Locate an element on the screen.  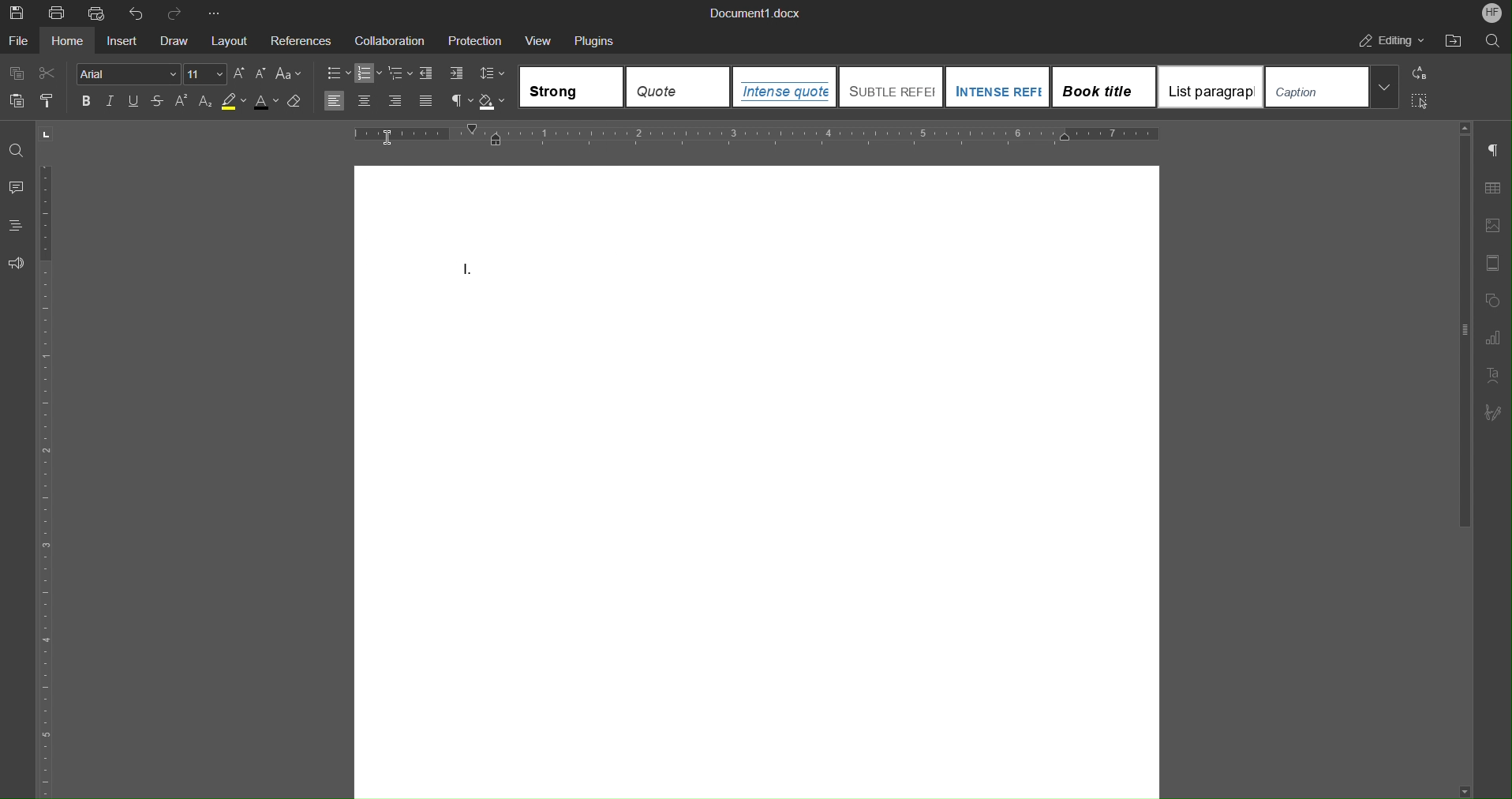
No Spacing is located at coordinates (679, 86).